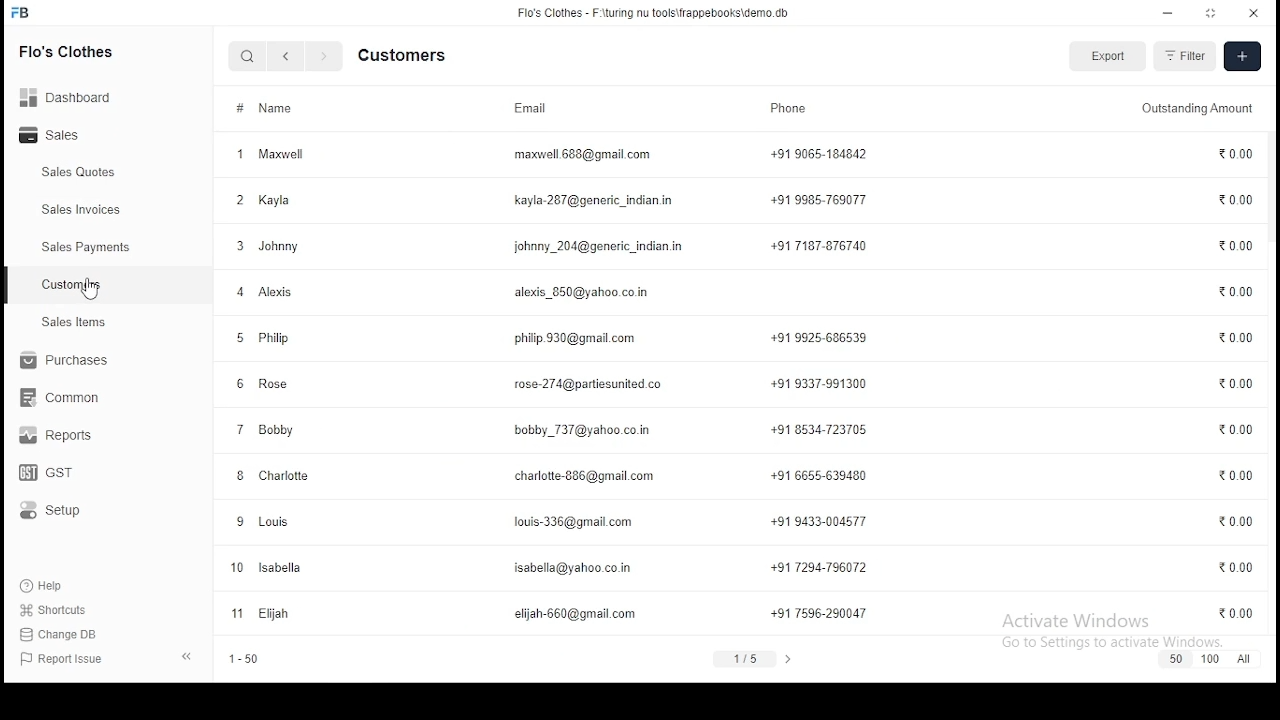 This screenshot has height=720, width=1280. What do you see at coordinates (590, 478) in the screenshot?
I see `charlotte-886@gmail.com` at bounding box center [590, 478].